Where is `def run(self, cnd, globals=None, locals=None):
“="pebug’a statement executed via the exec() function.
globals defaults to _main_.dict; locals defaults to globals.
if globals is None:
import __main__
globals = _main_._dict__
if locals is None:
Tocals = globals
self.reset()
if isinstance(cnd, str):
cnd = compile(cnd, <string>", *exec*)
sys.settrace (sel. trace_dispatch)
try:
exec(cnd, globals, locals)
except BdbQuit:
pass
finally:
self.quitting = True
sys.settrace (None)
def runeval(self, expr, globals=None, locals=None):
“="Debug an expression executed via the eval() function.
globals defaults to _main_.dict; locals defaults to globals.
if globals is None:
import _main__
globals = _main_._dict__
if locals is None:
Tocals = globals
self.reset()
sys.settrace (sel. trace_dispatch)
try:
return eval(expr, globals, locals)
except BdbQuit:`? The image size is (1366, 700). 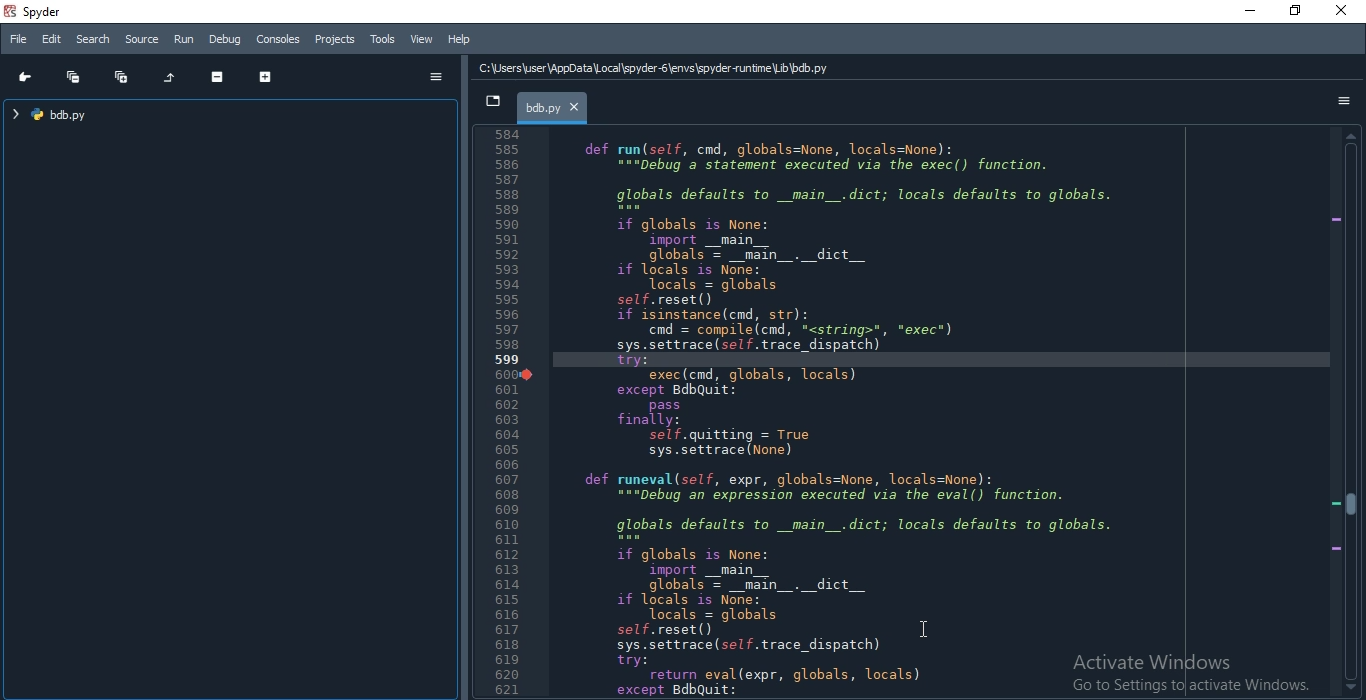
def run(self, cnd, globals=None, locals=None):
“="pebug’a statement executed via the exec() function.
globals defaults to _main_.dict; locals defaults to globals.
if globals is None:
import __main__
globals = _main_._dict__
if locals is None:
Tocals = globals
self.reset()
if isinstance(cnd, str):
cnd = compile(cnd, <string>", *exec*)
sys.settrace (sel. trace_dispatch)
try:
exec(cnd, globals, locals)
except BdbQuit:
pass
finally:
self.quitting = True
sys.settrace (None)
def runeval(self, expr, globals=None, locals=None):
“="Debug an expression executed via the eval() function.
globals defaults to _main_.dict; locals defaults to globals.
if globals is None:
import _main__
globals = _main_._dict__
if locals is None:
Tocals = globals
self.reset()
sys.settrace (sel. trace_dispatch)
try:
return eval(expr, globals, locals)
except BdbQuit: is located at coordinates (856, 415).